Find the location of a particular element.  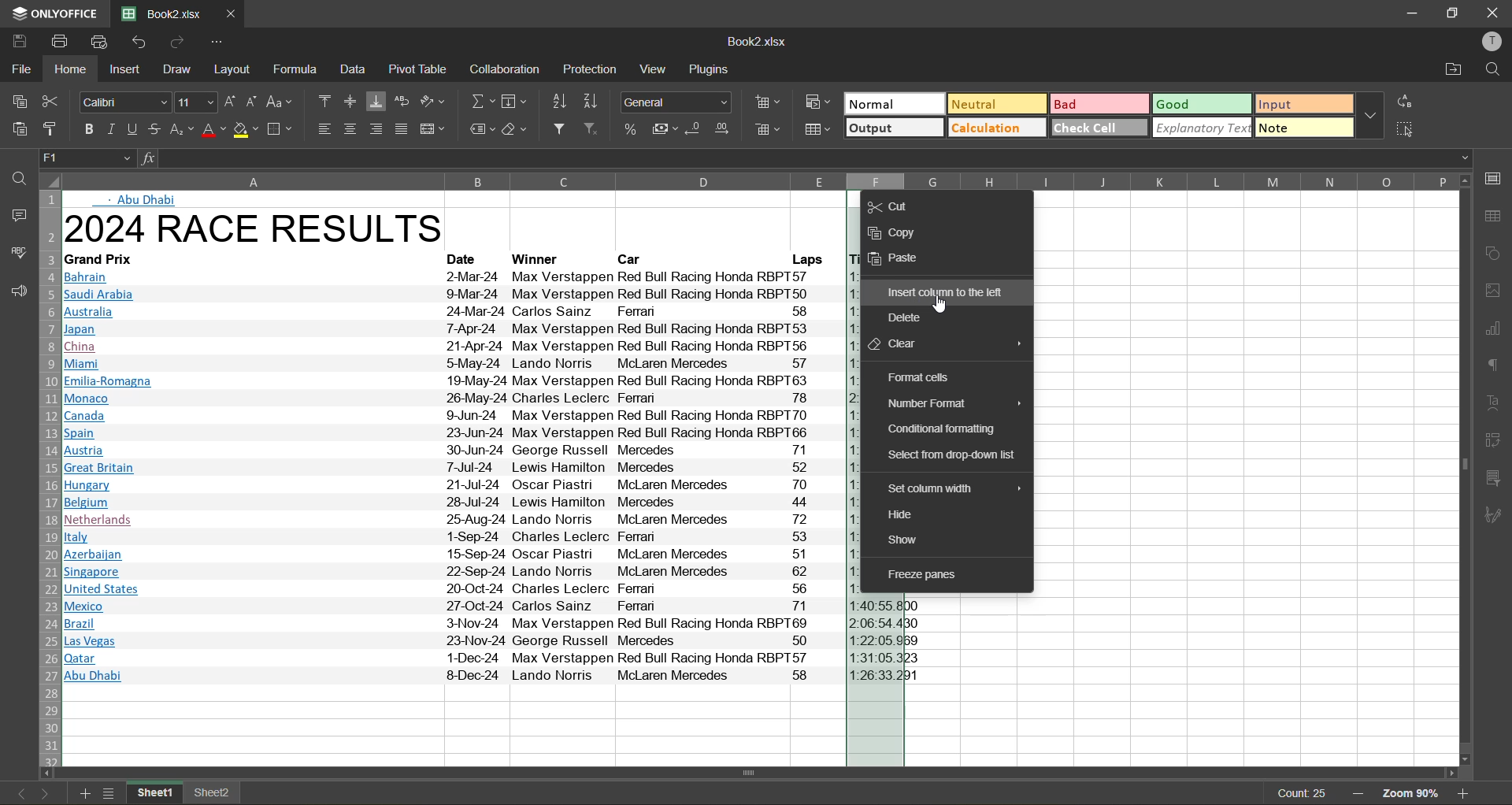

| Abu Dhabi 8-Dec-24 Lando Norris McLaren Mercedes 58 1:26:33.291 is located at coordinates (497, 675).